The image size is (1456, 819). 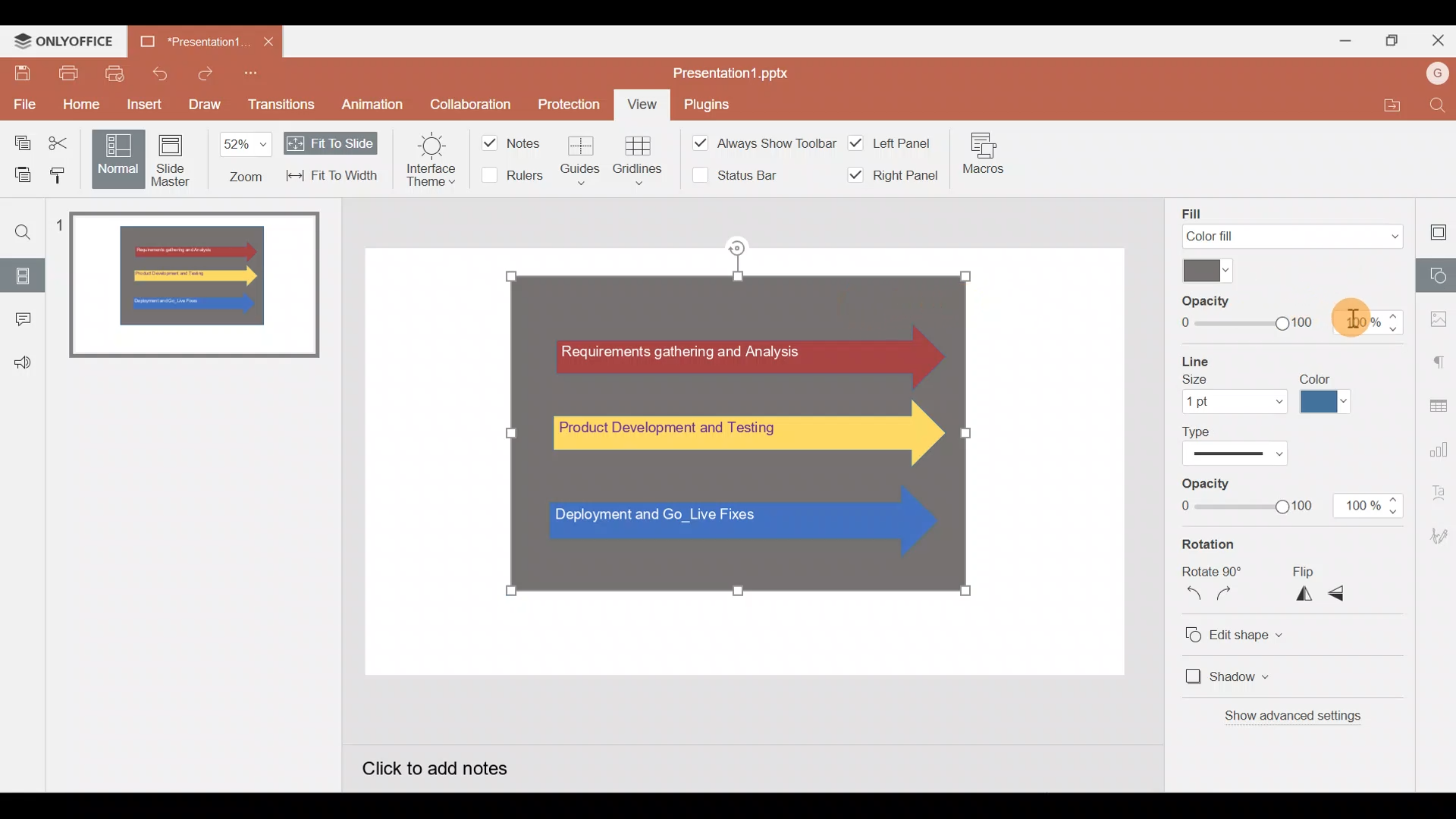 What do you see at coordinates (18, 71) in the screenshot?
I see `Save` at bounding box center [18, 71].